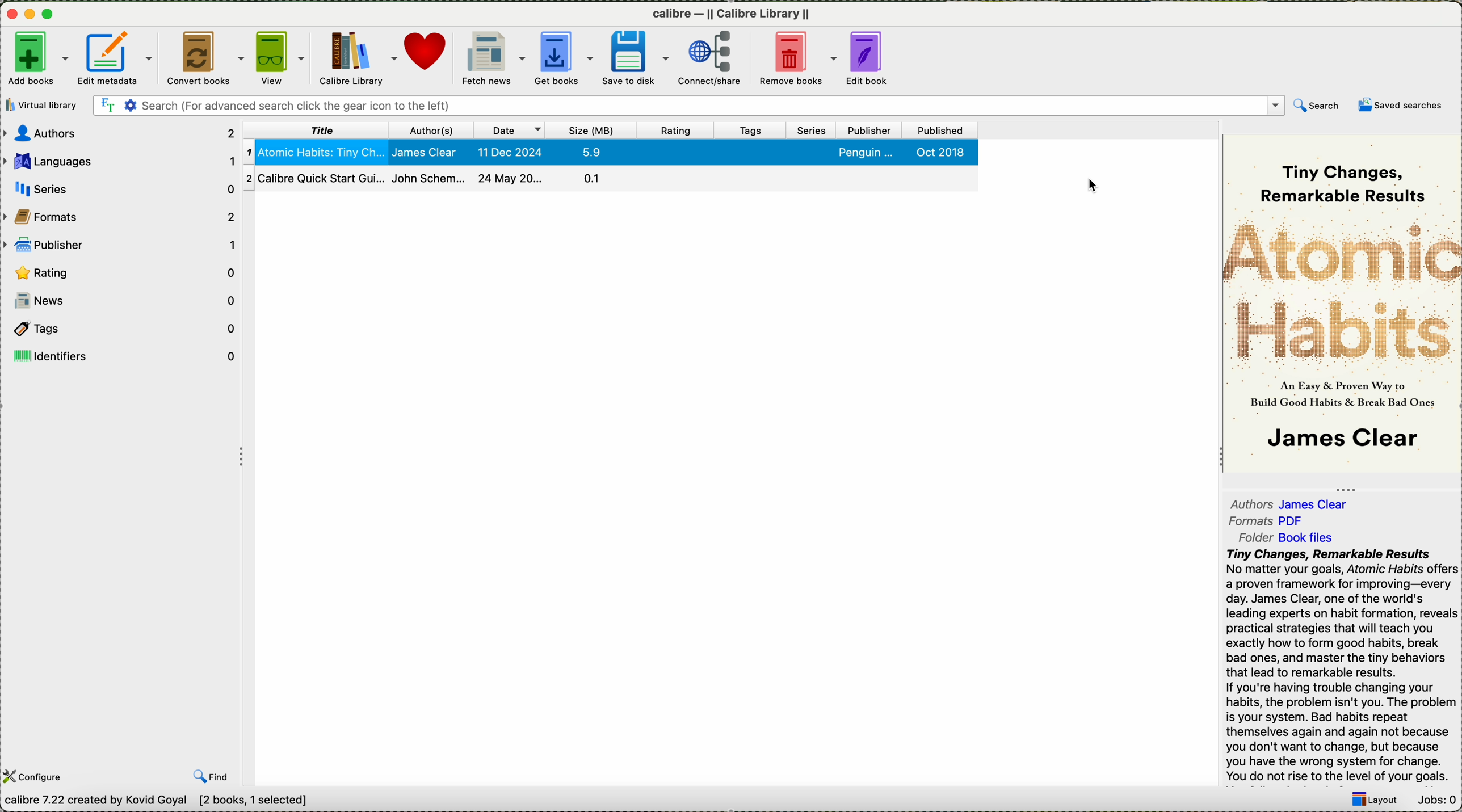 The image size is (1462, 812). What do you see at coordinates (123, 134) in the screenshot?
I see `authors` at bounding box center [123, 134].